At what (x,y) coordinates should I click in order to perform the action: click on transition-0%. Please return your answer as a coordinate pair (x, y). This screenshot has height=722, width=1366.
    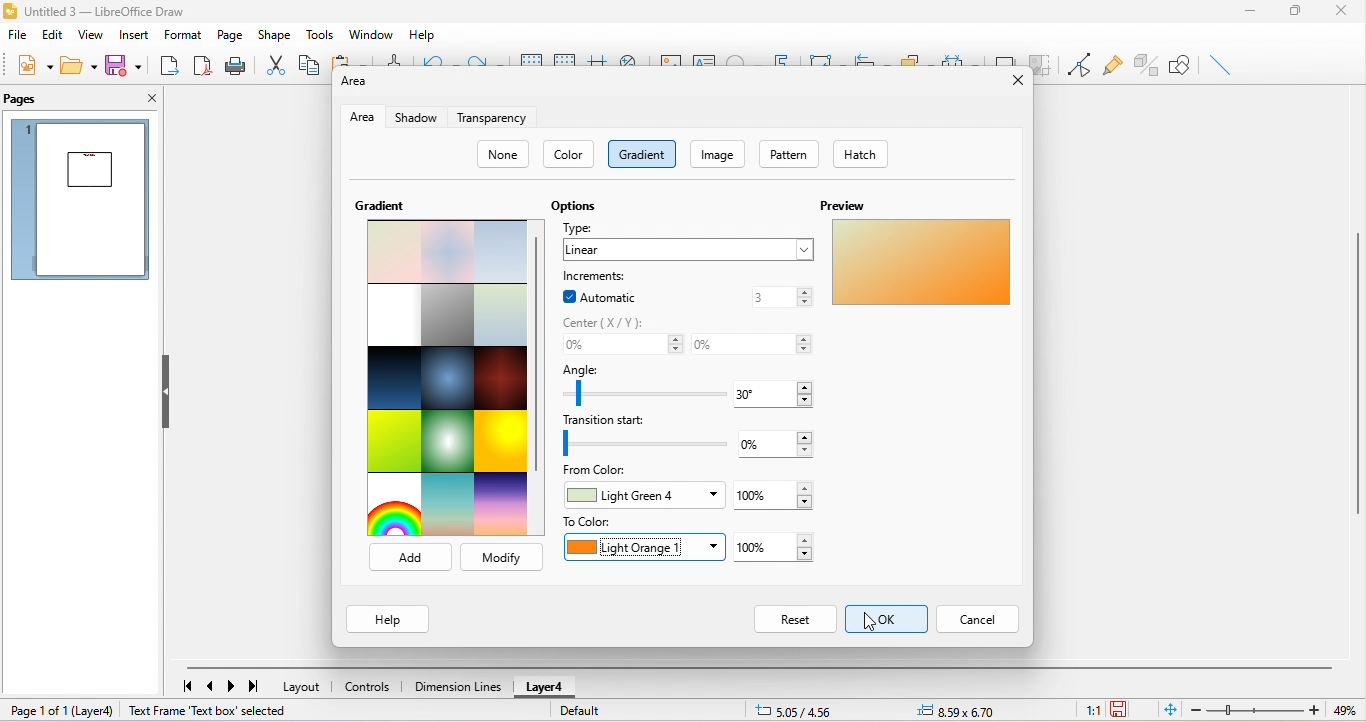
    Looking at the image, I should click on (783, 442).